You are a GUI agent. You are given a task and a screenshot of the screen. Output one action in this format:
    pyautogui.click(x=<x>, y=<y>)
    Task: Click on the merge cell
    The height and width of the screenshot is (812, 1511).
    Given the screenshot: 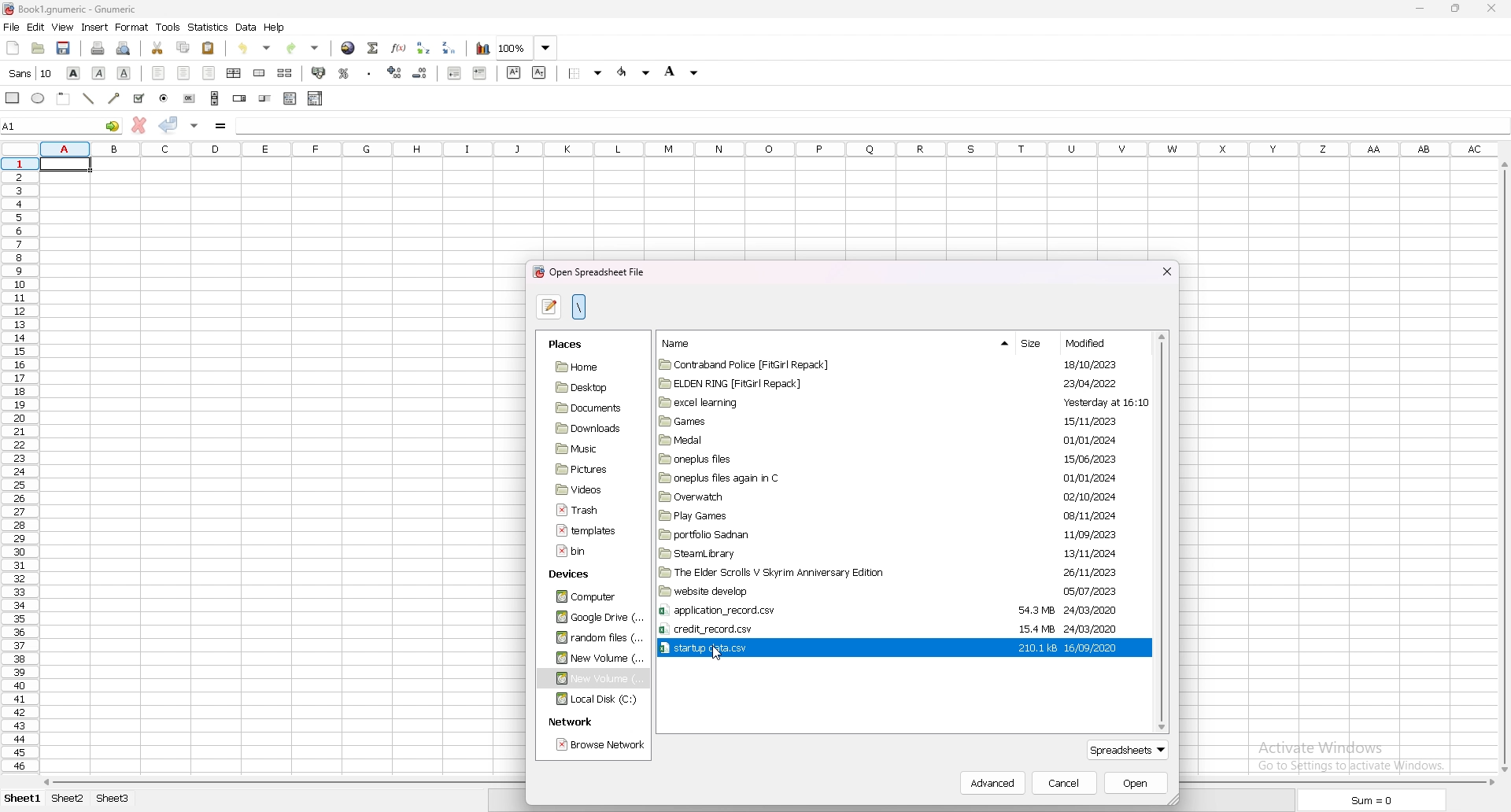 What is the action you would take?
    pyautogui.click(x=261, y=73)
    